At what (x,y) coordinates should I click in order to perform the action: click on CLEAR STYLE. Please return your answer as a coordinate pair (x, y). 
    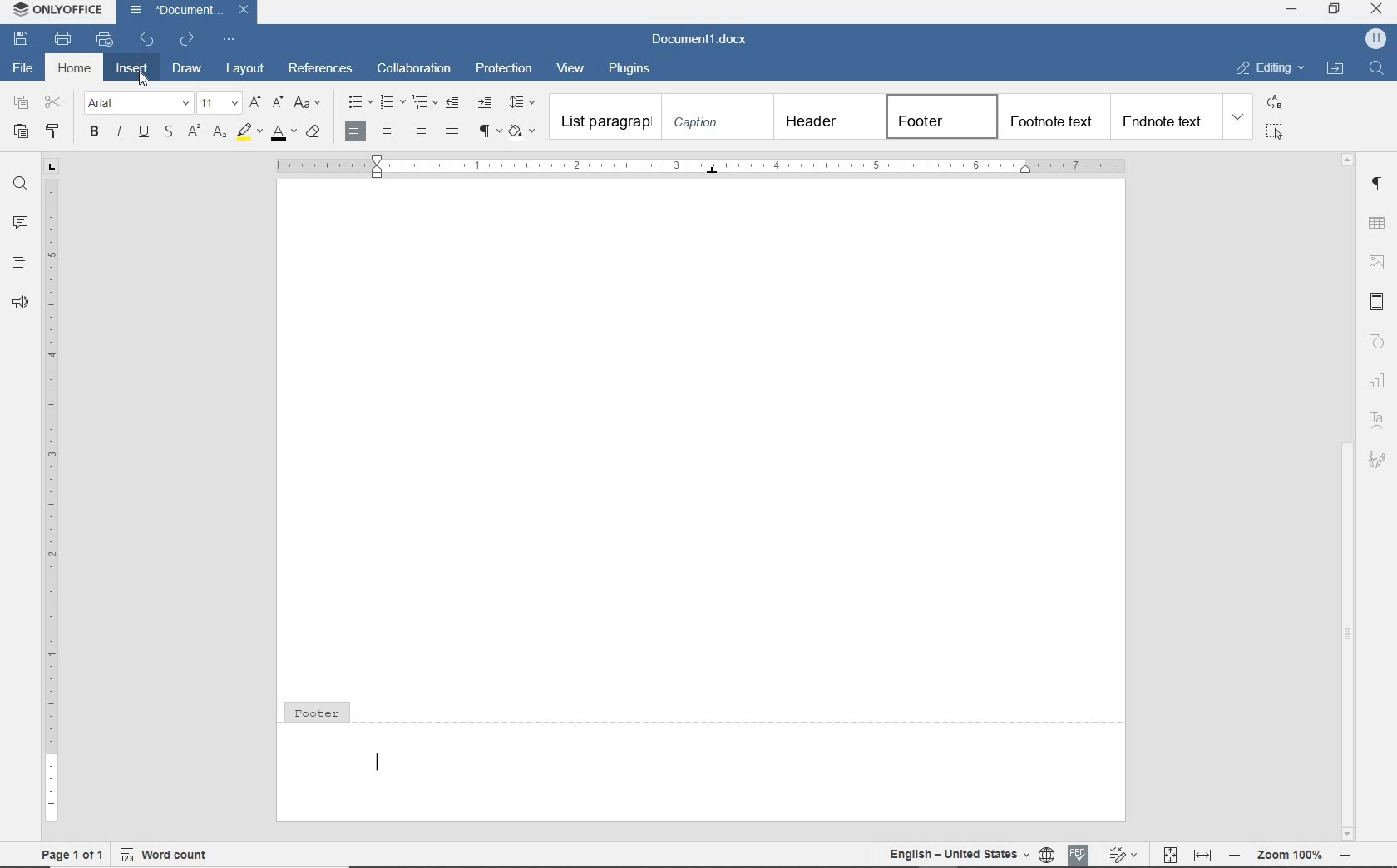
    Looking at the image, I should click on (315, 134).